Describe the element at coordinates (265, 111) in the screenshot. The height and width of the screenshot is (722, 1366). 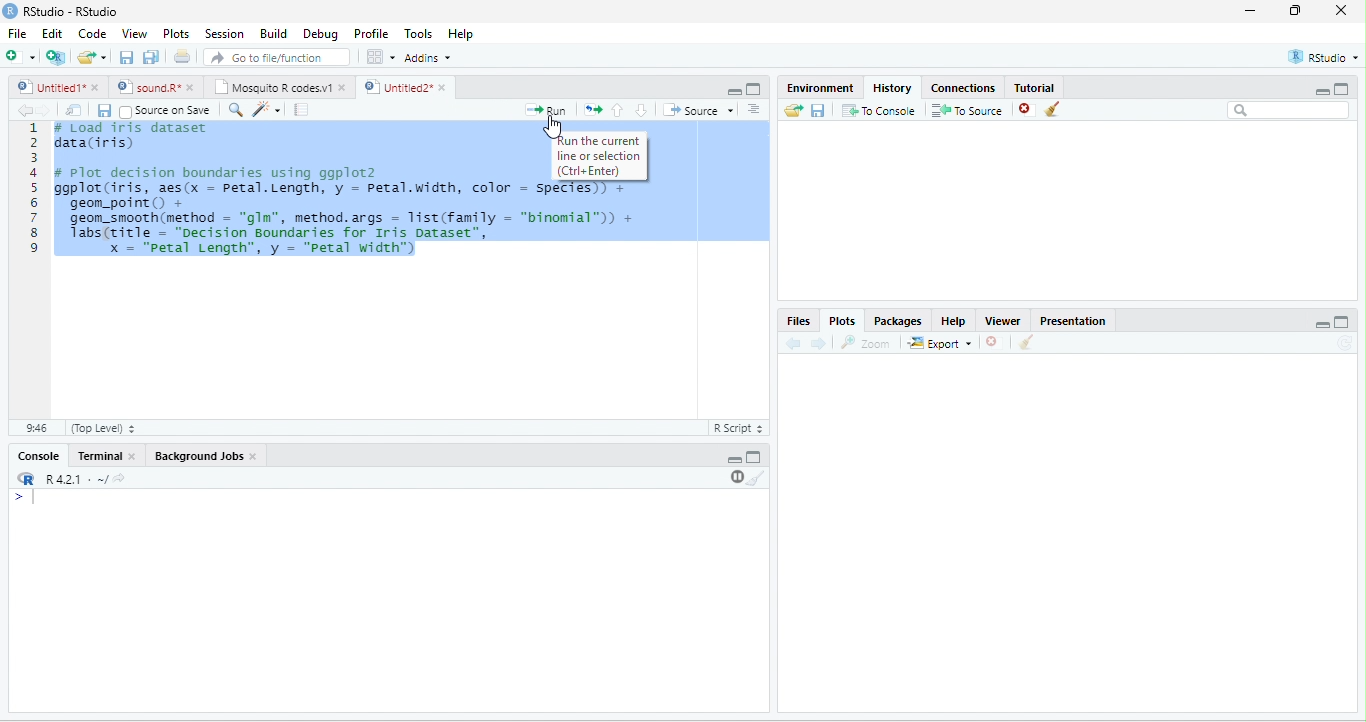
I see `tools` at that location.